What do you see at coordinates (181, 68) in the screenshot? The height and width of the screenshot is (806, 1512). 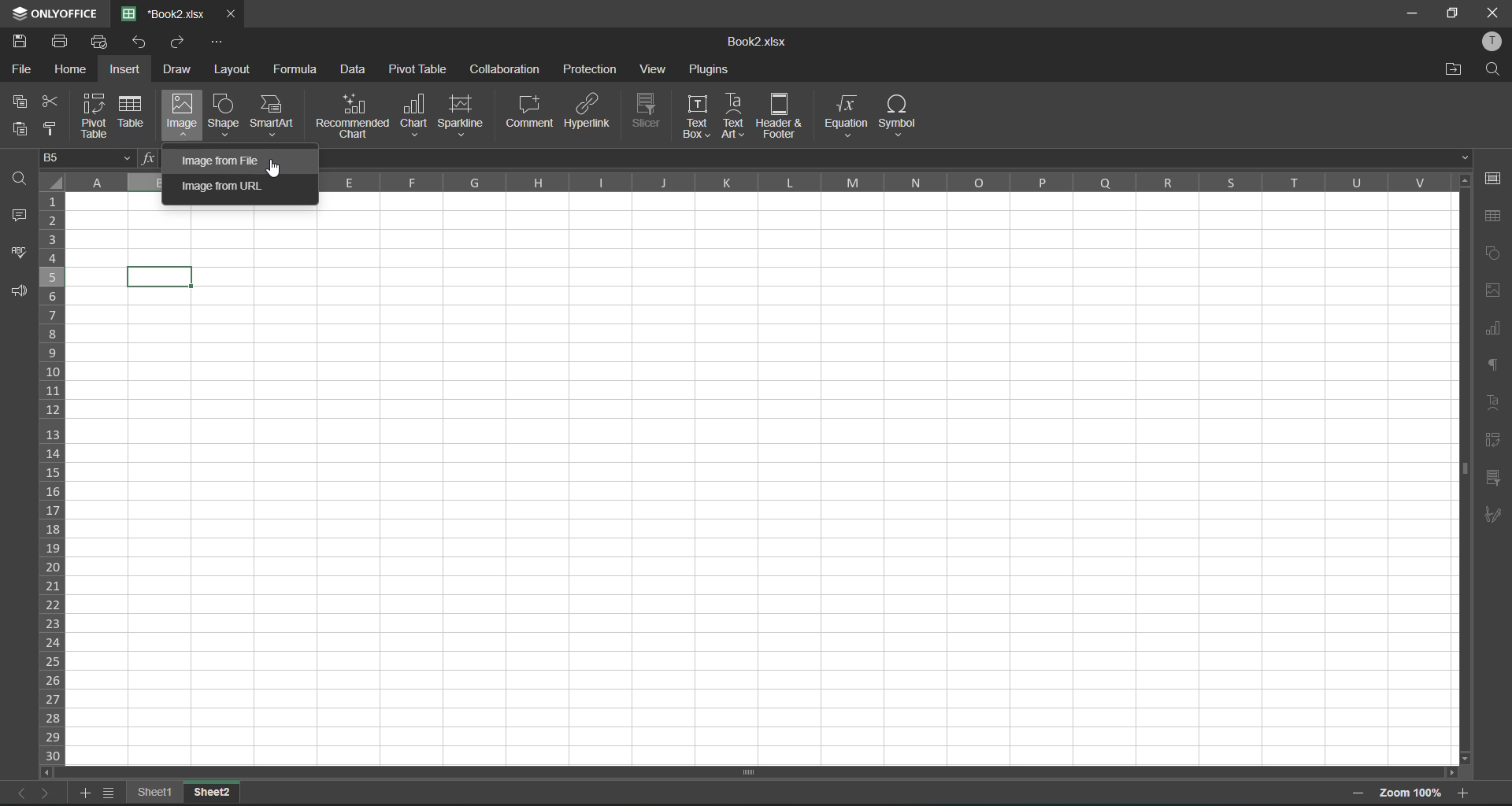 I see `draw` at bounding box center [181, 68].